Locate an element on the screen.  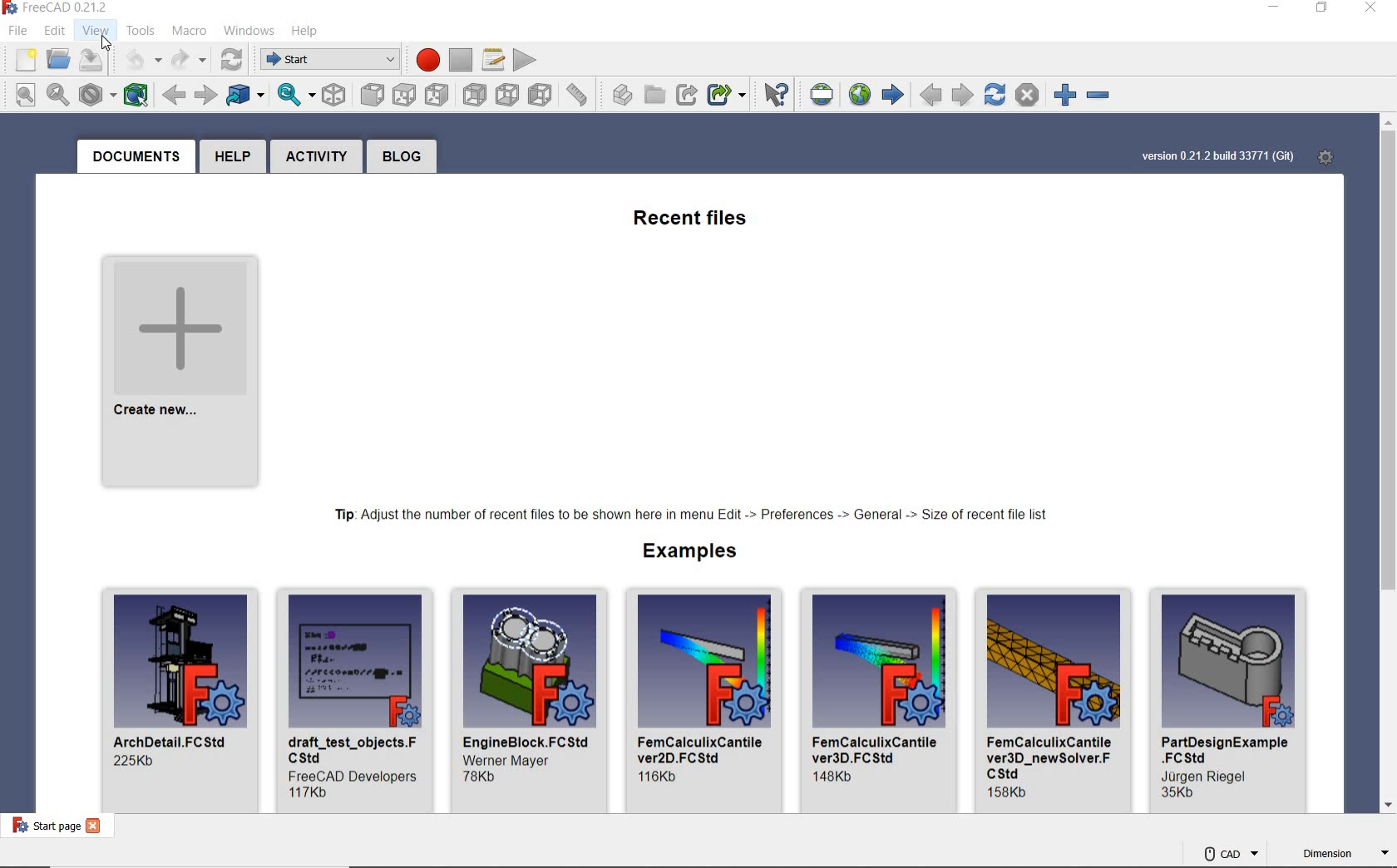
sync view is located at coordinates (294, 97).